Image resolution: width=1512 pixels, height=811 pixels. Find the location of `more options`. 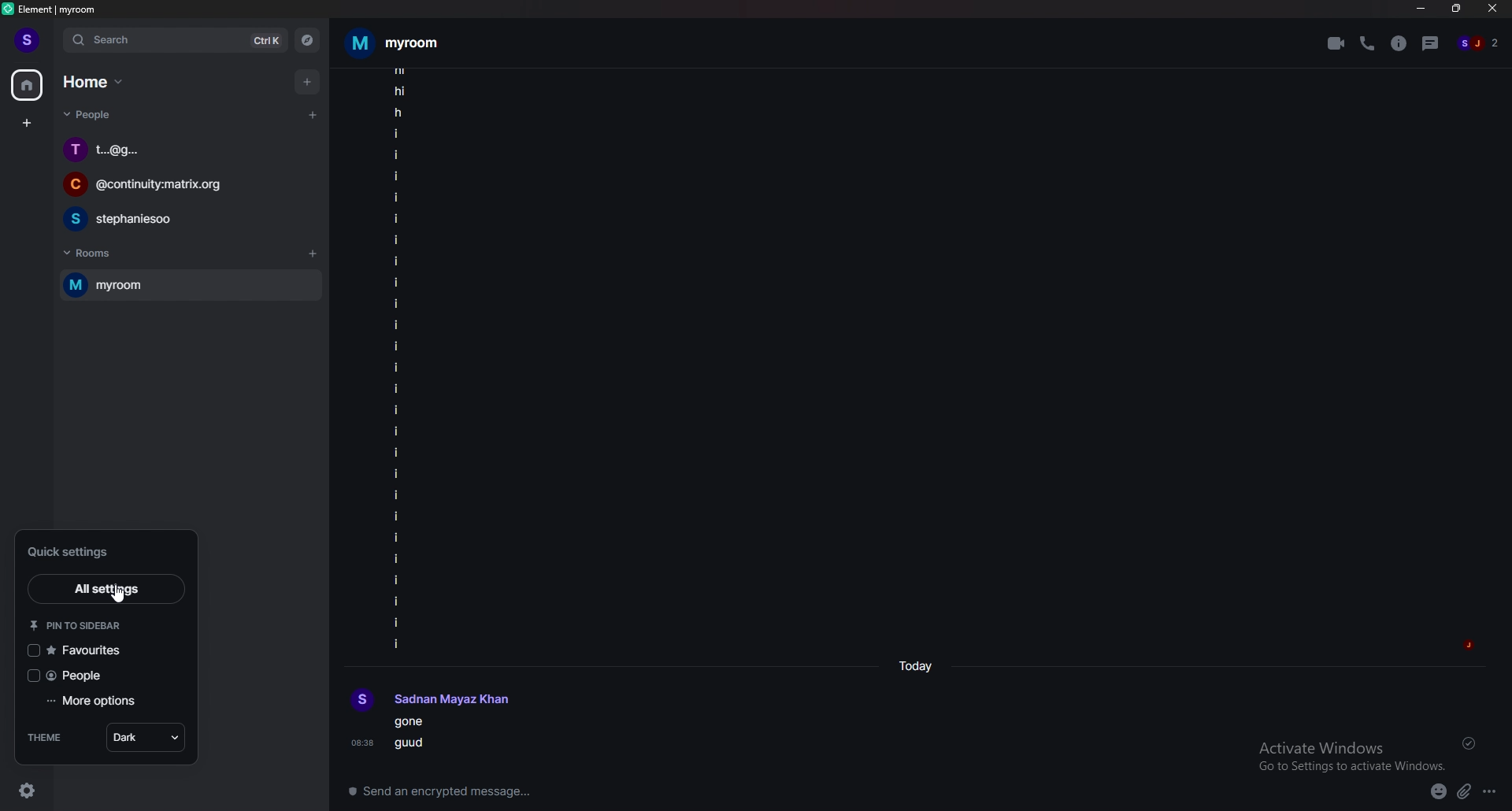

more options is located at coordinates (93, 701).